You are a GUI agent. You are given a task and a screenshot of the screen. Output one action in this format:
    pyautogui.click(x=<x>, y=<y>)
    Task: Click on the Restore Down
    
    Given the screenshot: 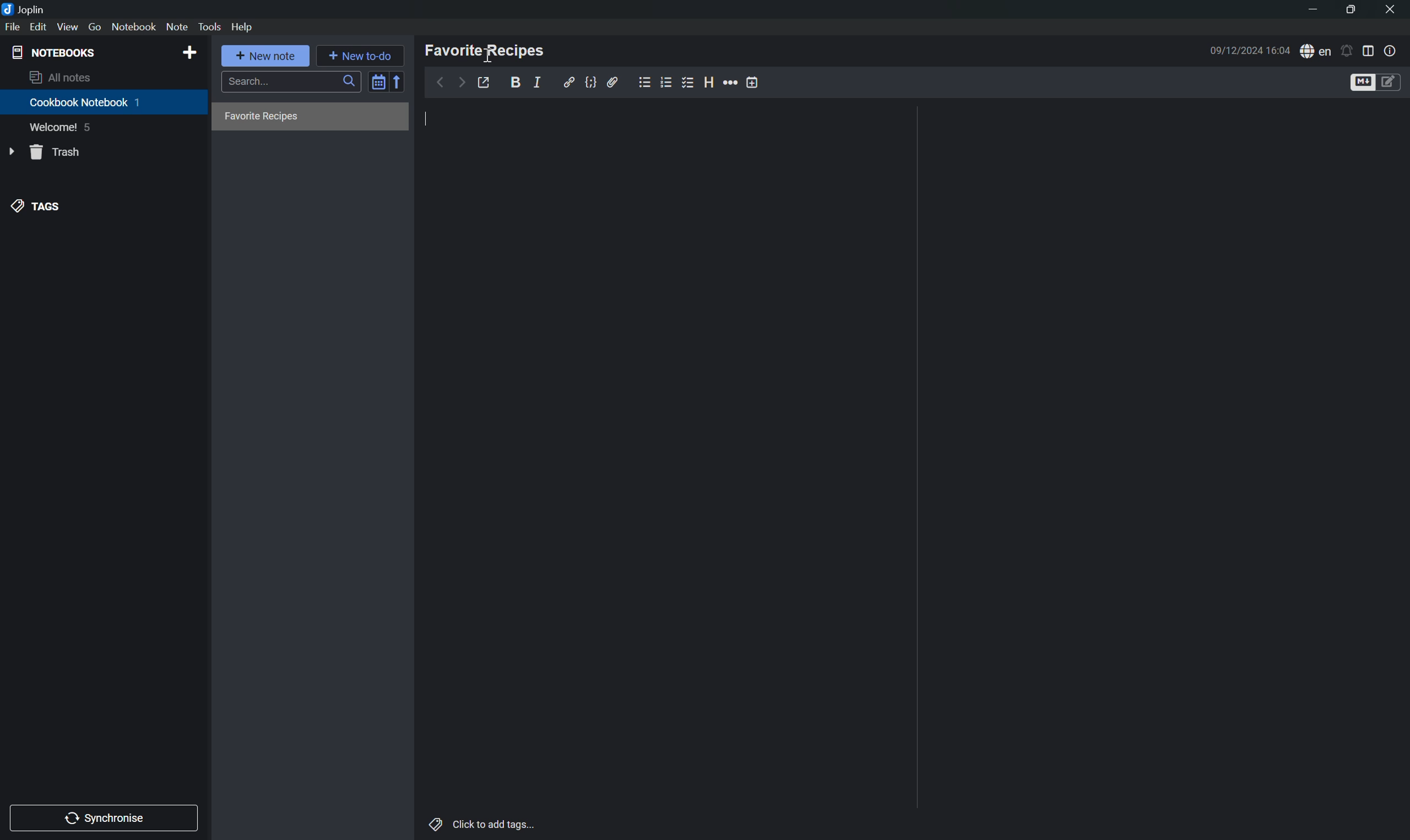 What is the action you would take?
    pyautogui.click(x=1349, y=12)
    